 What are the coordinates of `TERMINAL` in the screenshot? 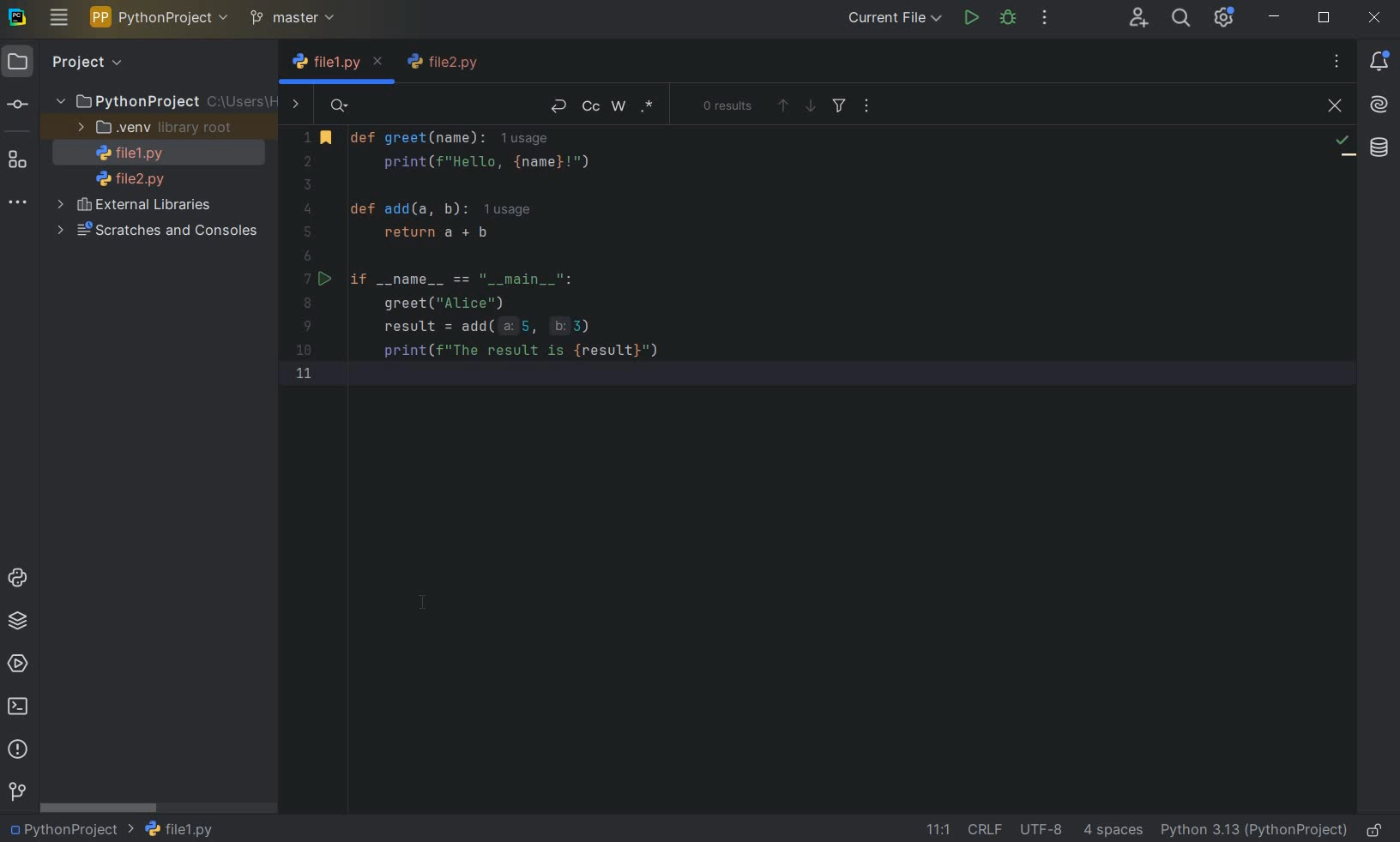 It's located at (22, 703).